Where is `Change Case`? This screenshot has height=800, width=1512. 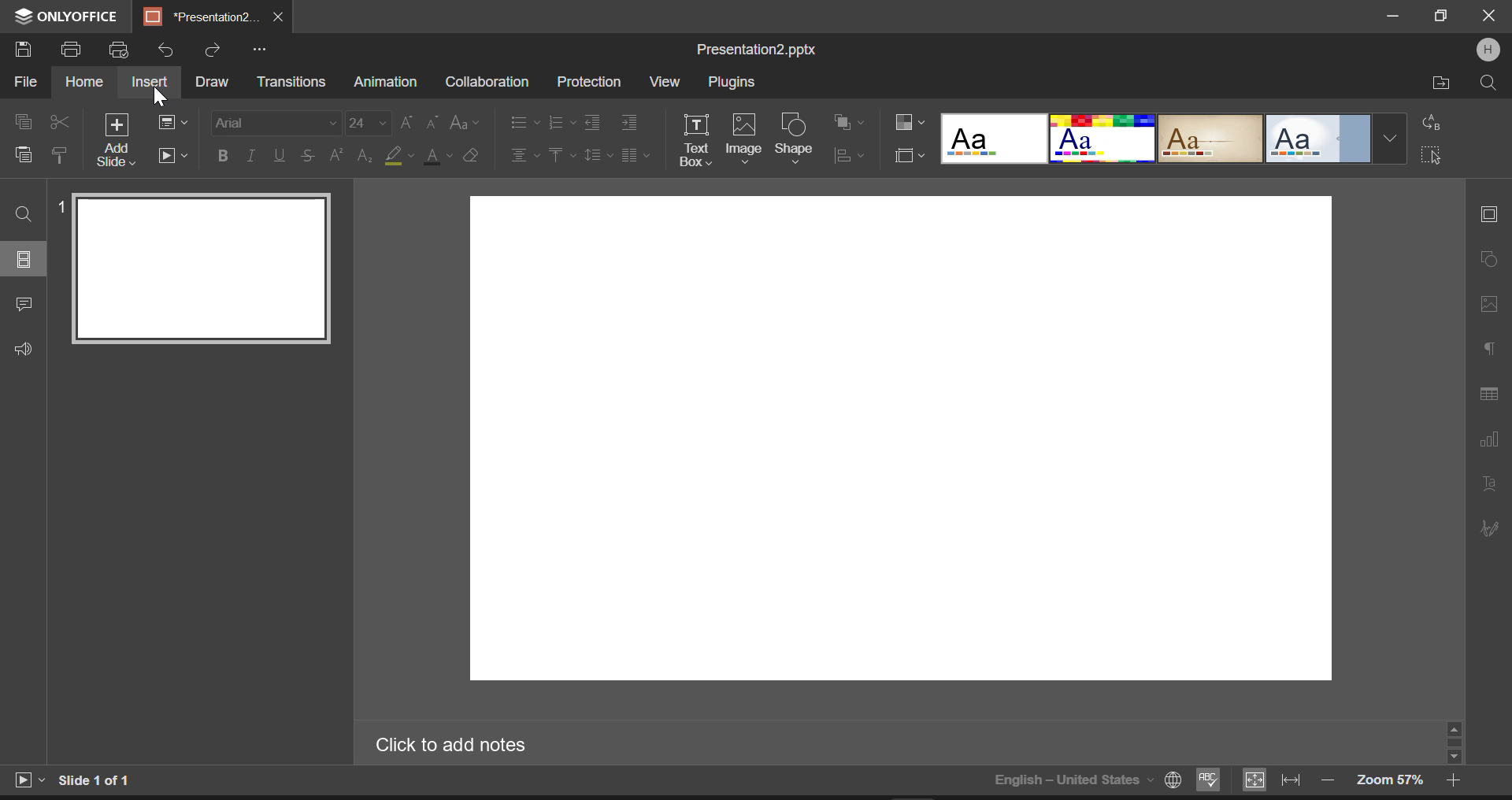 Change Case is located at coordinates (465, 120).